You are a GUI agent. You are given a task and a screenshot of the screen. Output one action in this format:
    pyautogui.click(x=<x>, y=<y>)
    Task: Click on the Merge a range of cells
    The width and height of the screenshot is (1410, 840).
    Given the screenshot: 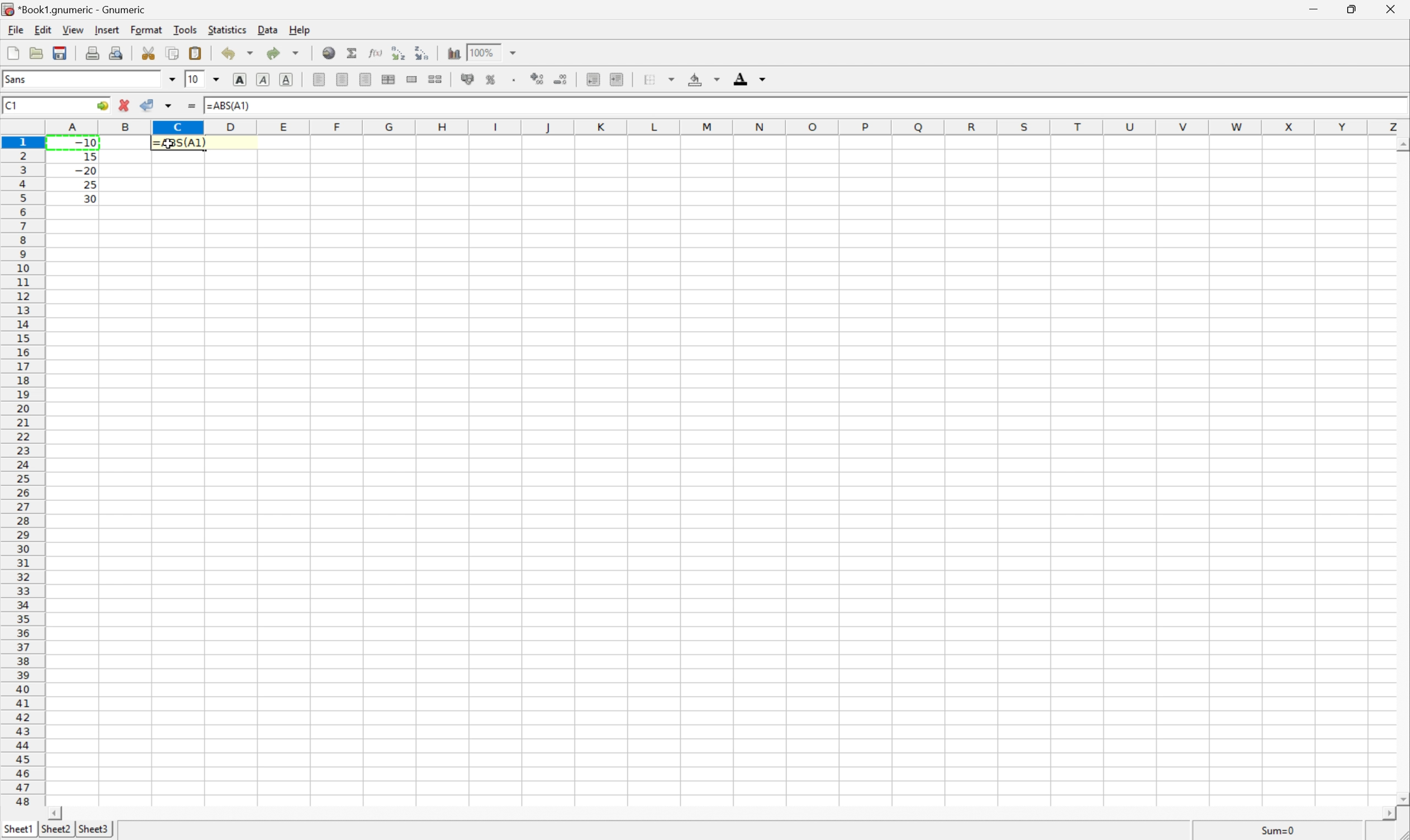 What is the action you would take?
    pyautogui.click(x=413, y=79)
    